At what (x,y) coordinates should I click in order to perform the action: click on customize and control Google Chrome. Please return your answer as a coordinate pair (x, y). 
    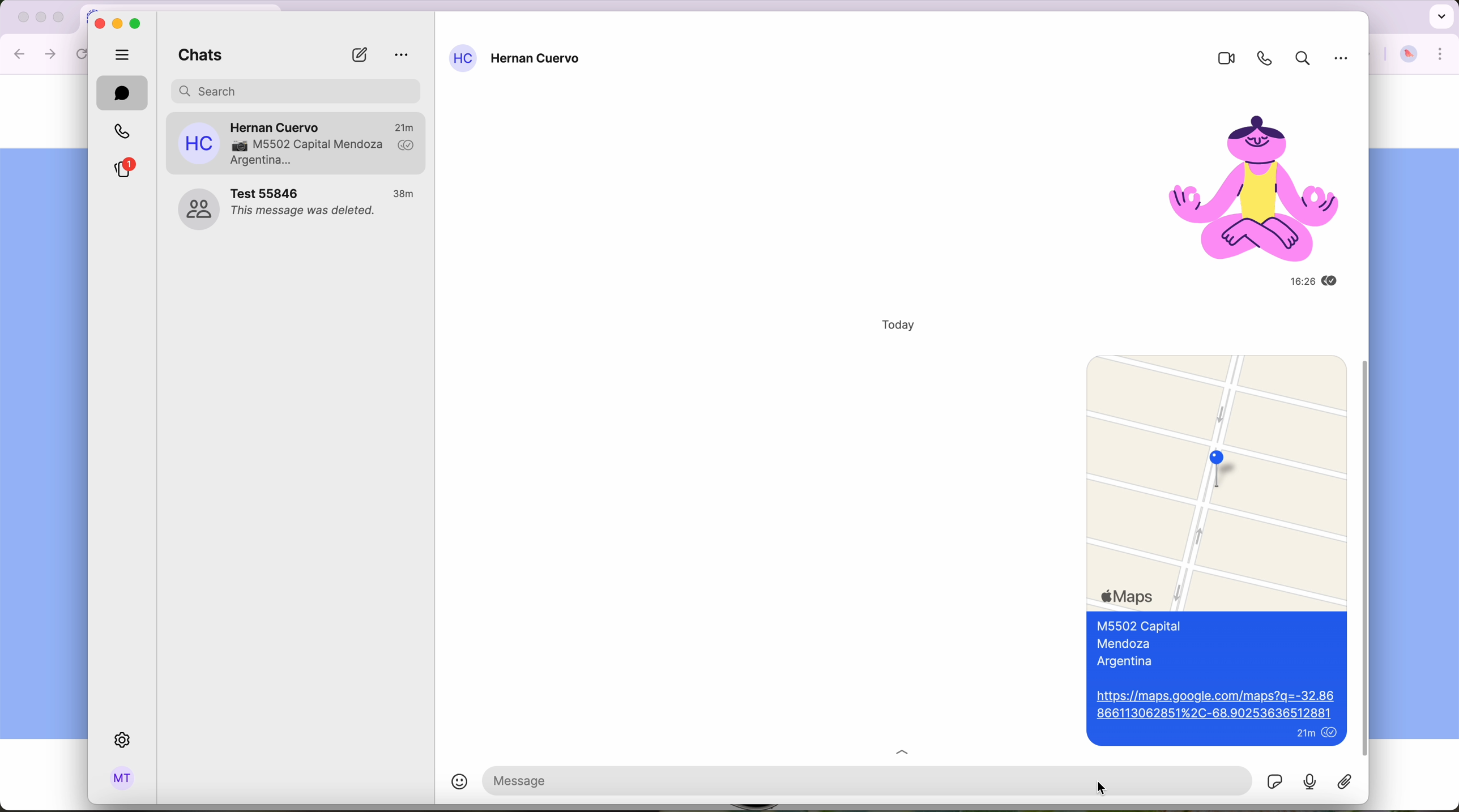
    Looking at the image, I should click on (1441, 54).